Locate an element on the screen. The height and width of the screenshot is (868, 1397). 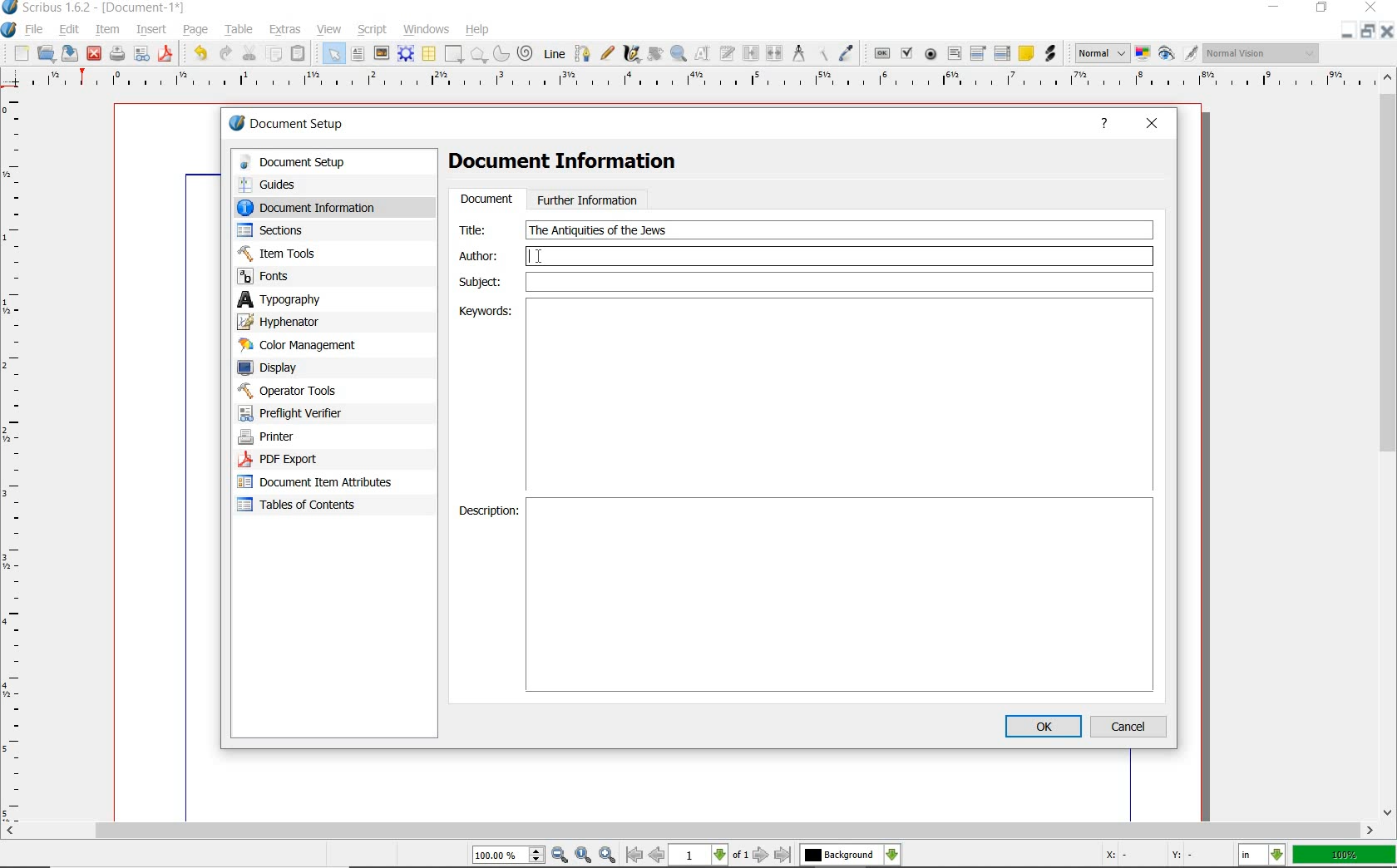
display is located at coordinates (297, 367).